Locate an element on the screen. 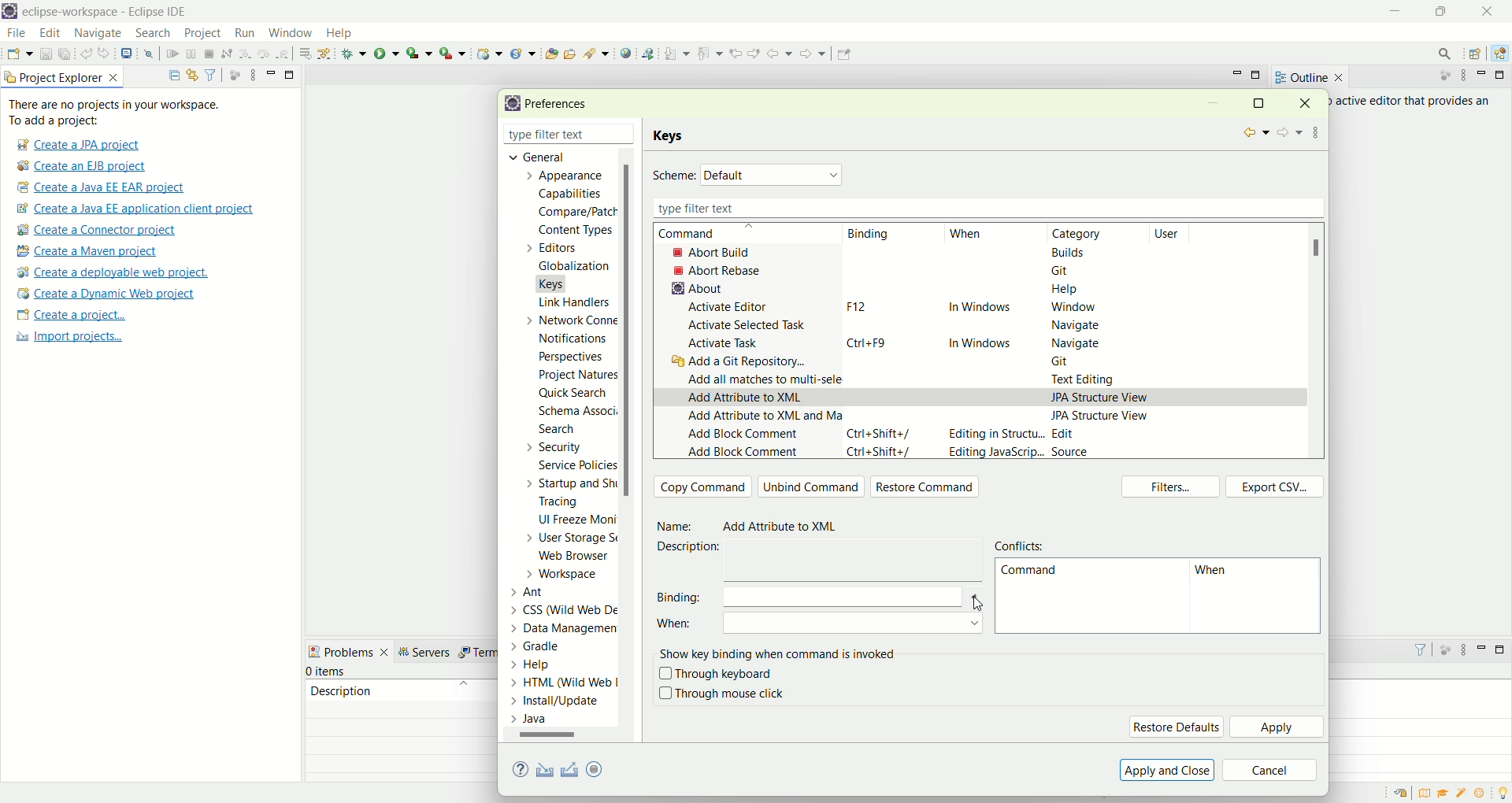  open web browser is located at coordinates (626, 54).